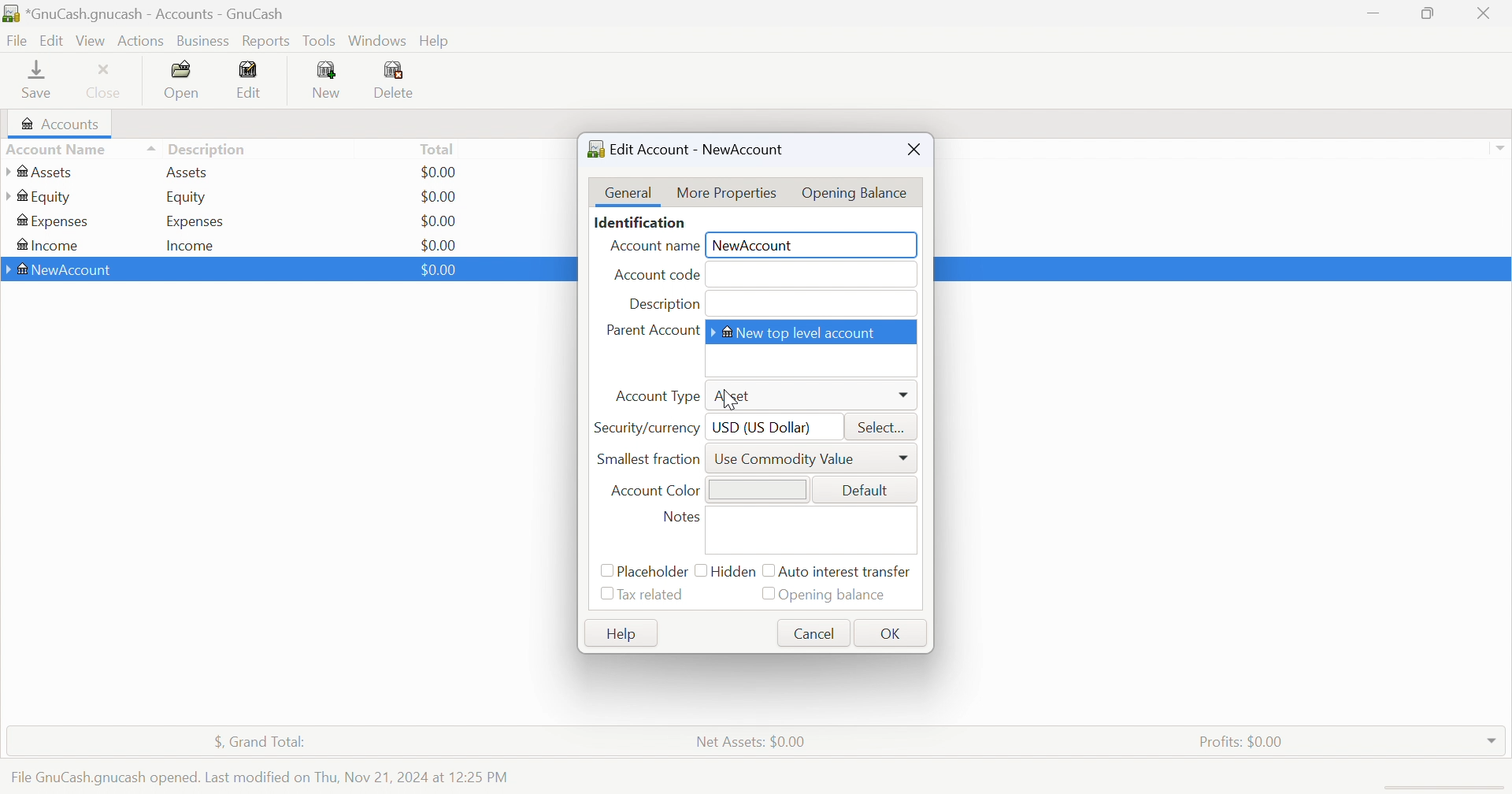  I want to click on Restore Down, so click(1430, 12).